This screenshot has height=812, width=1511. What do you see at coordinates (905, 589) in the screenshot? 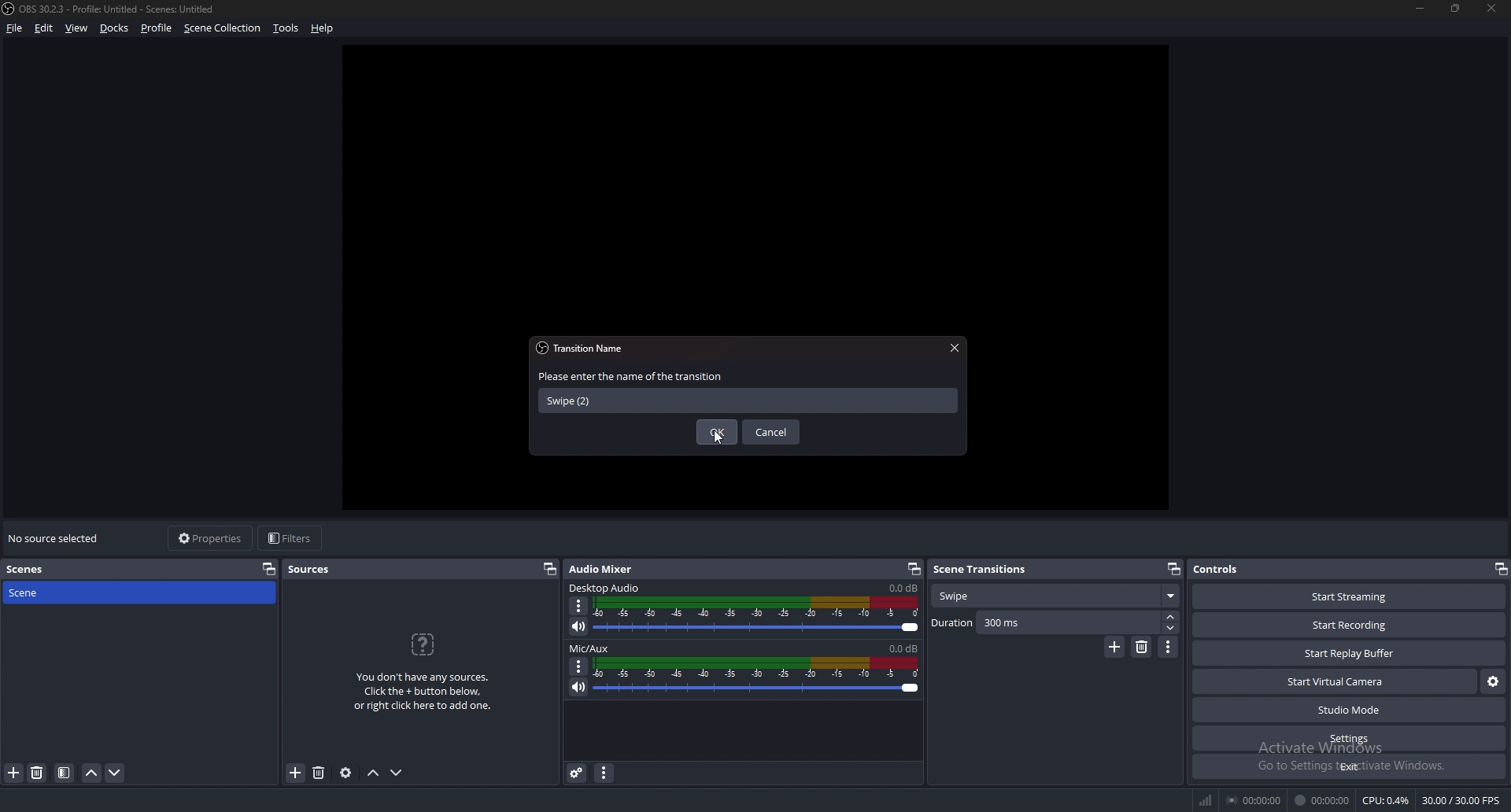
I see `0.0db` at bounding box center [905, 589].